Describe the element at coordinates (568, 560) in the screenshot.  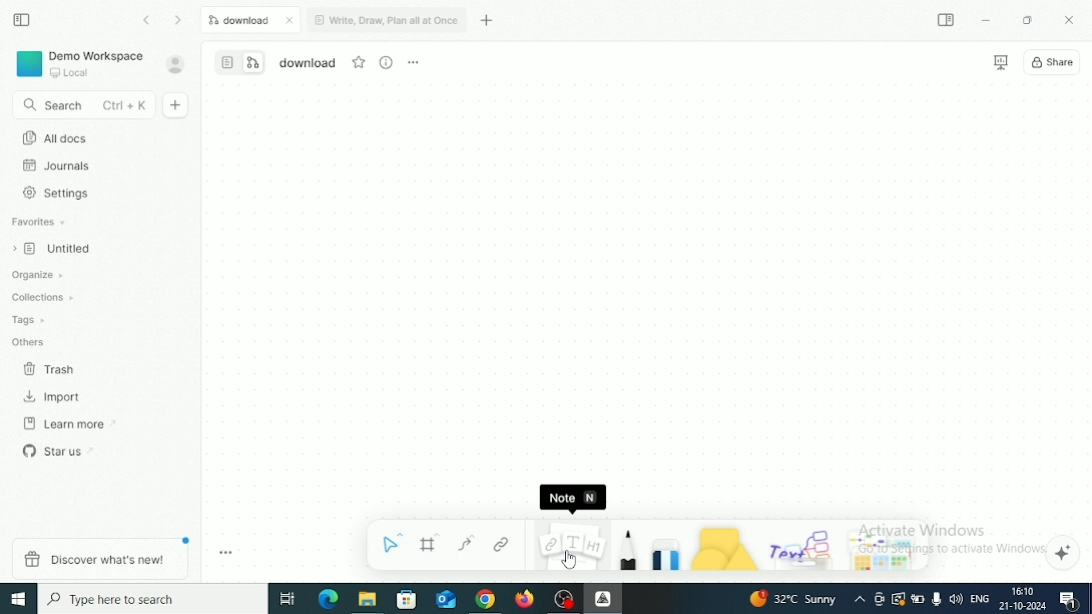
I see `Cursor` at that location.